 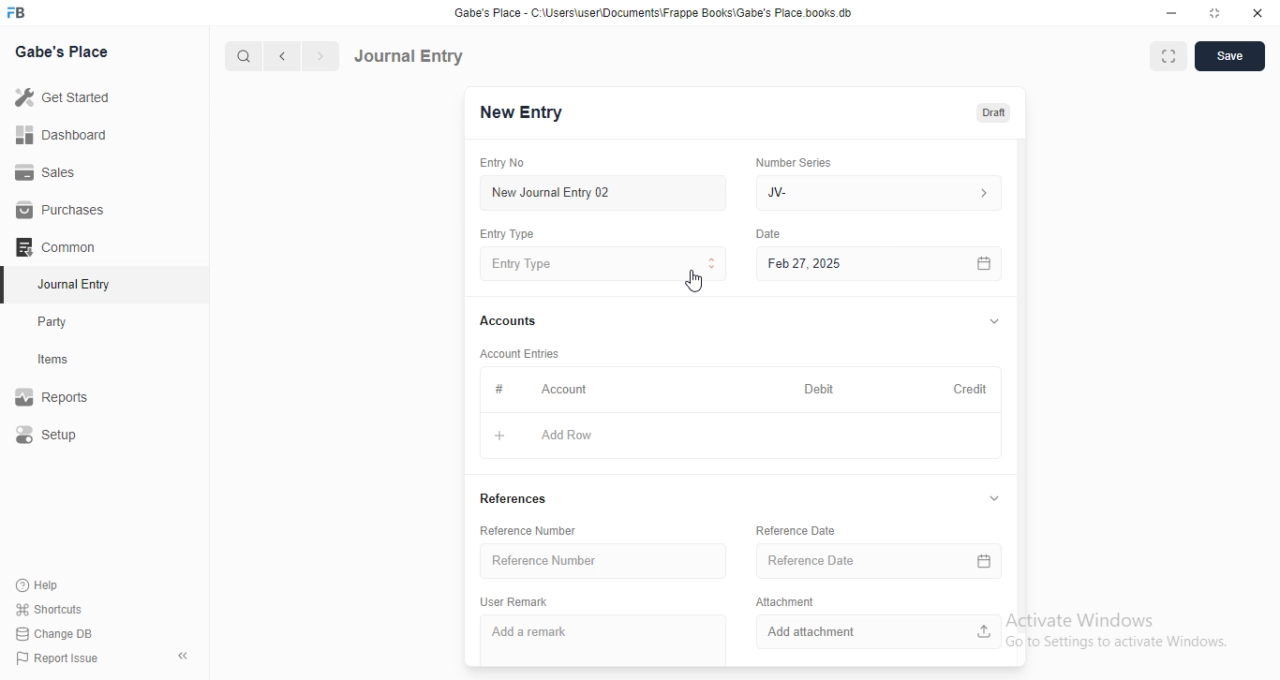 What do you see at coordinates (1167, 57) in the screenshot?
I see `Full width toggle` at bounding box center [1167, 57].